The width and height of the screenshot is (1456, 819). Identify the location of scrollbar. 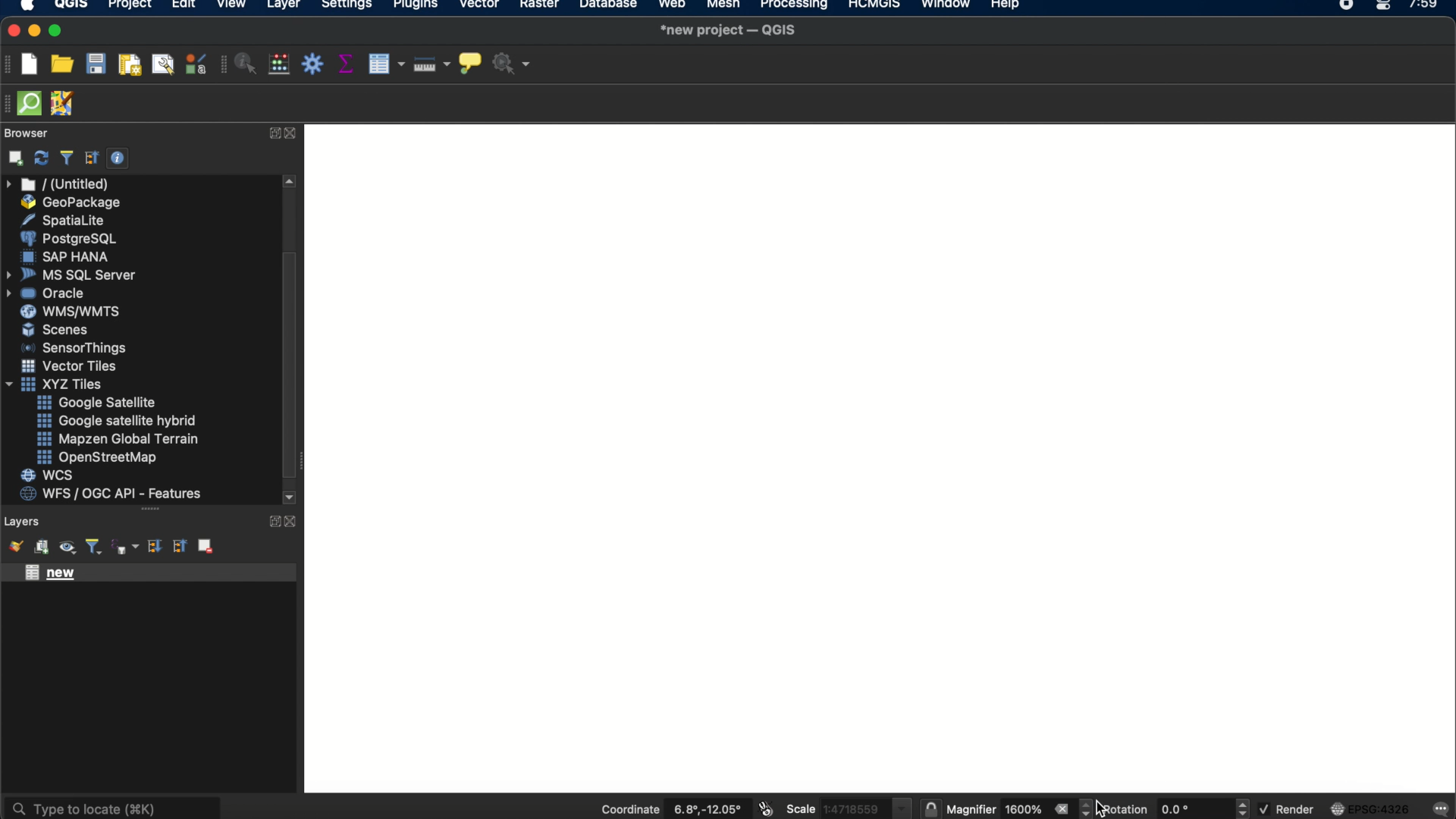
(292, 342).